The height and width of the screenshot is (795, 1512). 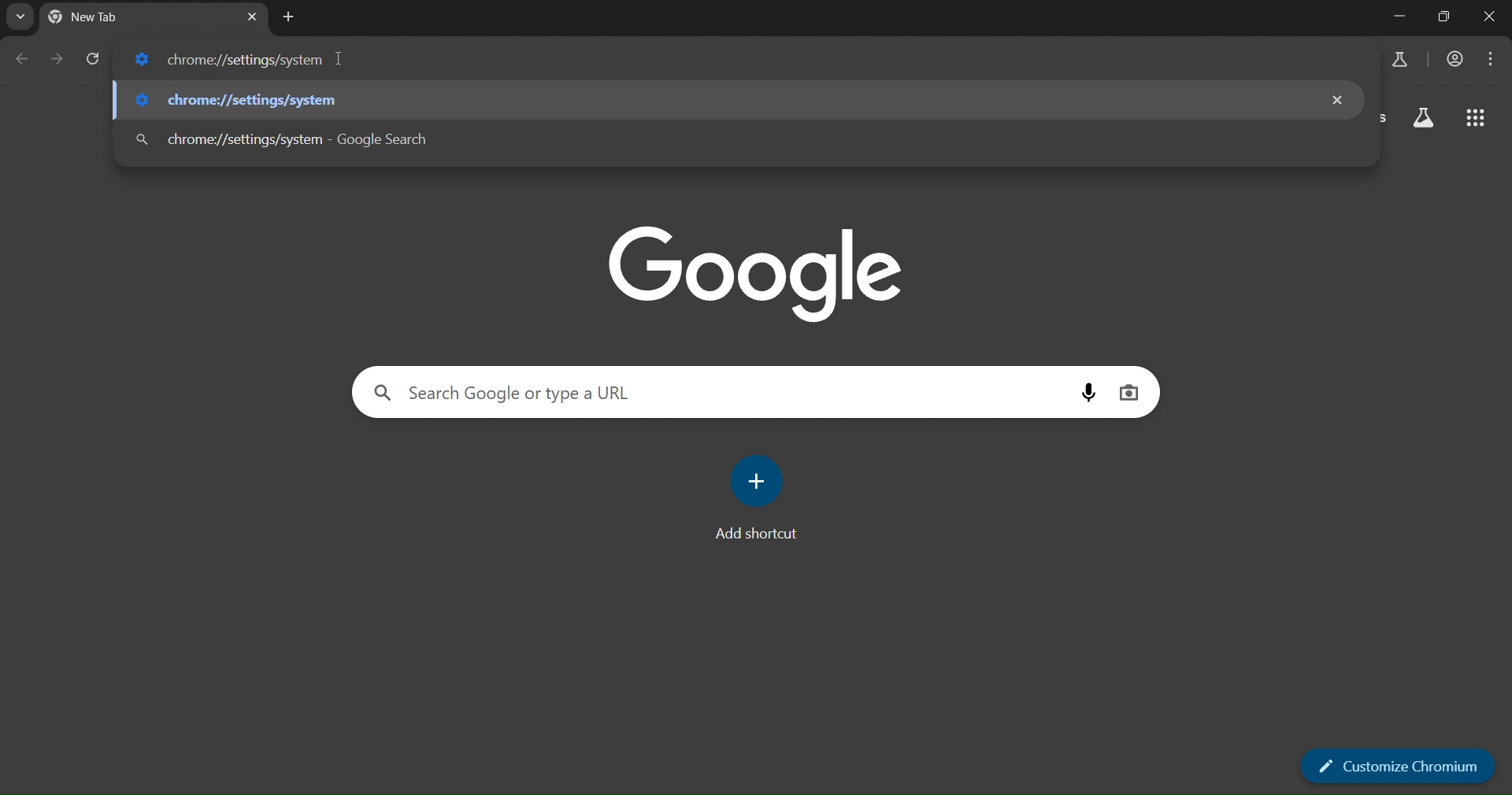 I want to click on chrome://settings/system, so click(x=302, y=140).